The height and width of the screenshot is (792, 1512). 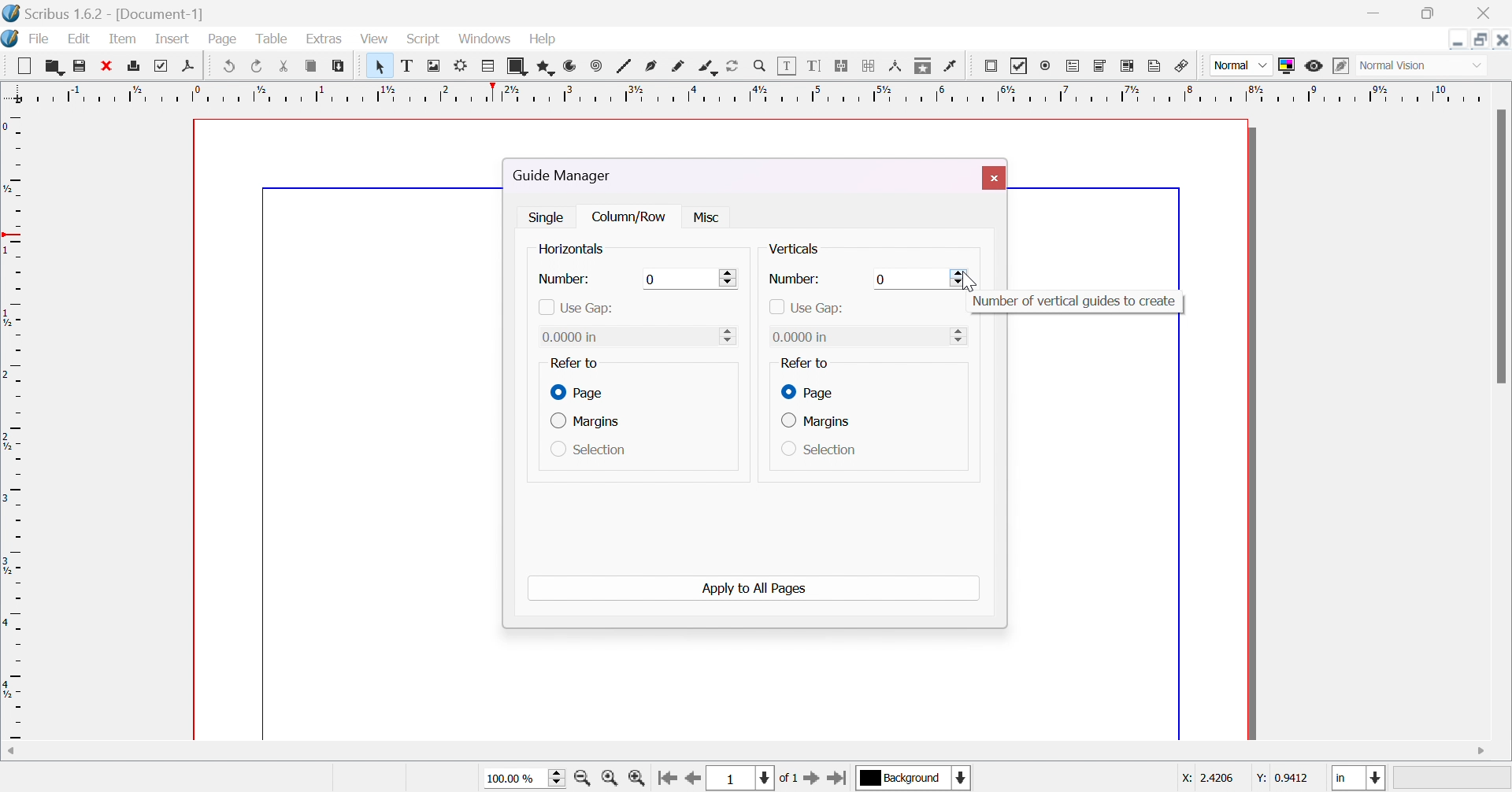 I want to click on select current layer, so click(x=902, y=778).